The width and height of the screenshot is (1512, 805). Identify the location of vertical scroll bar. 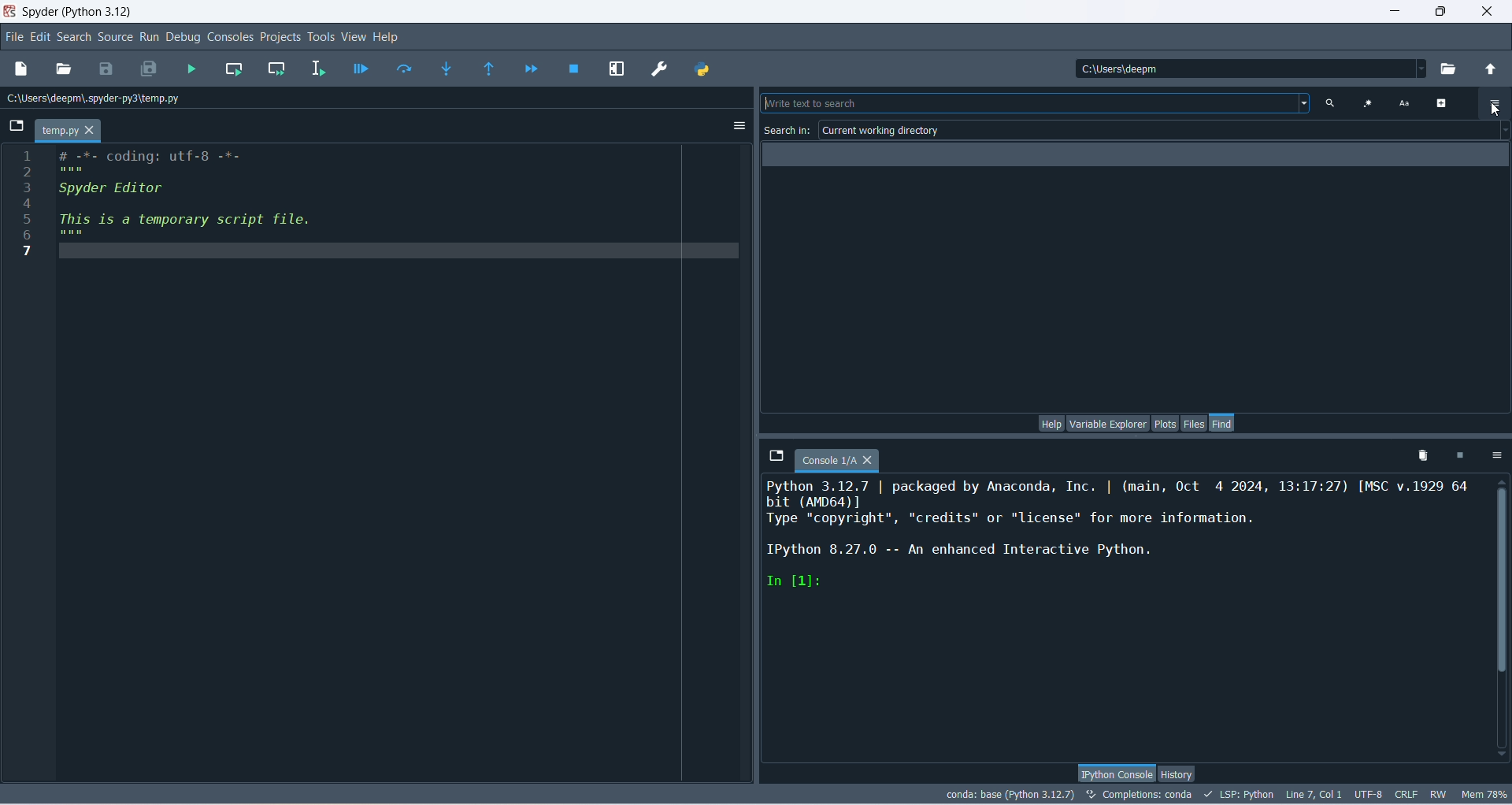
(1499, 617).